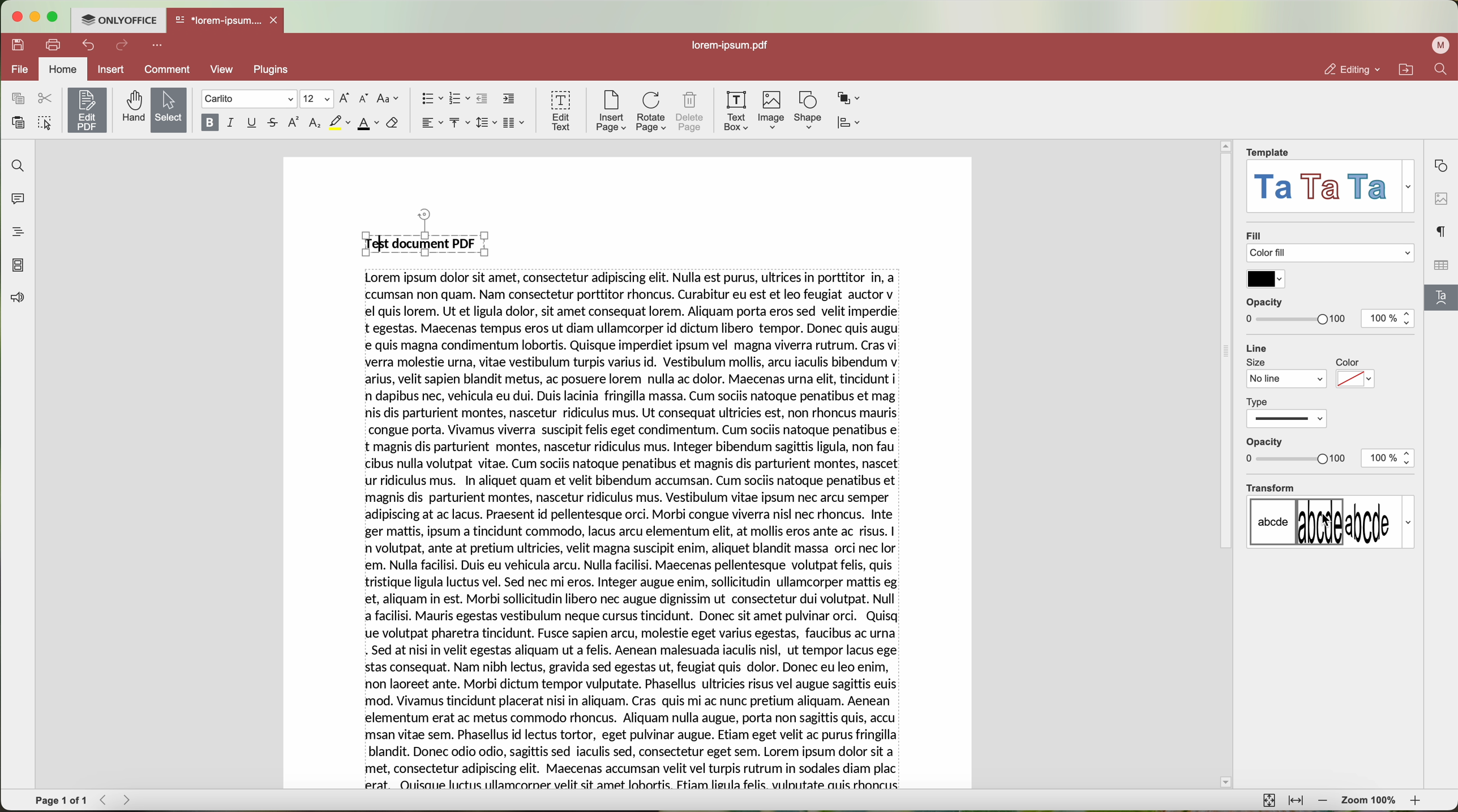  I want to click on undo, so click(87, 46).